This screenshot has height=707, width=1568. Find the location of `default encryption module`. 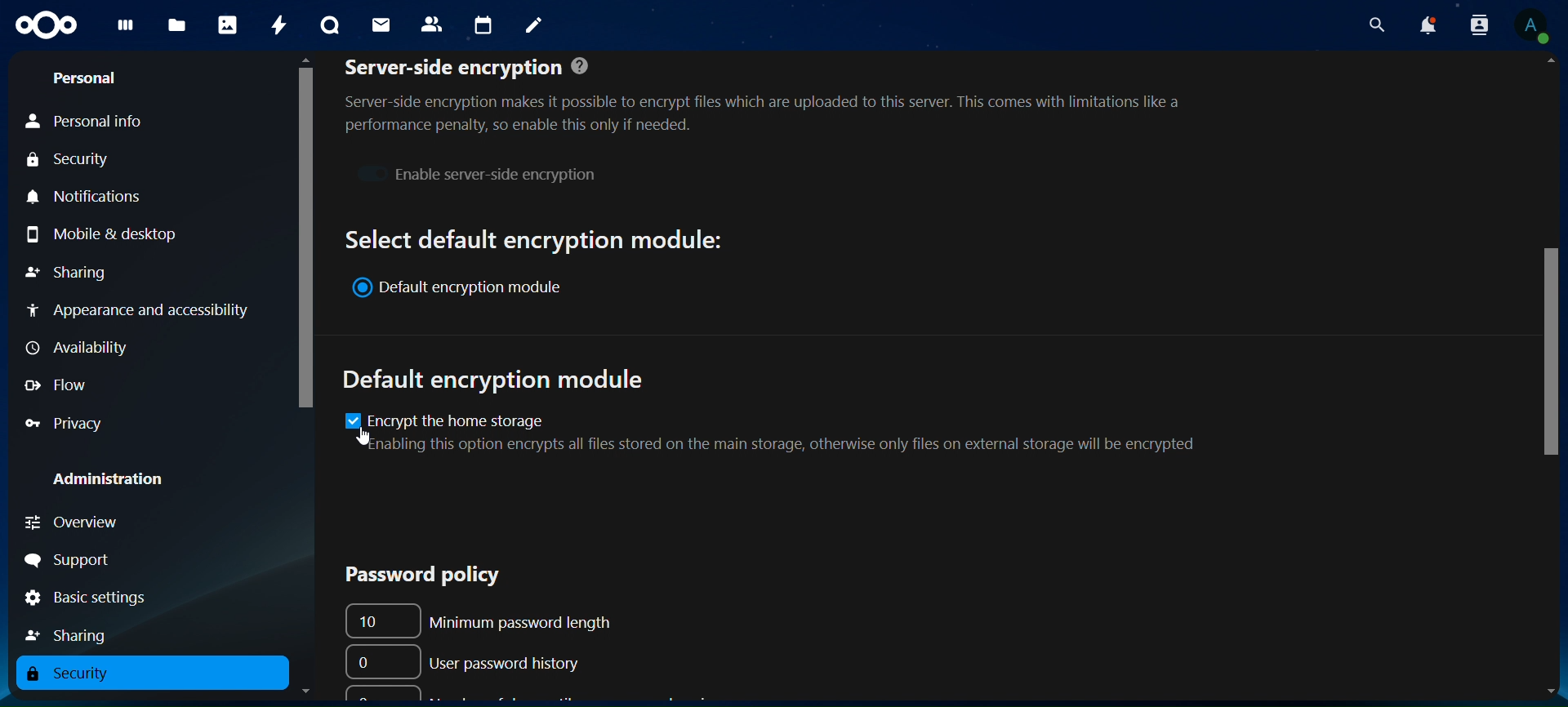

default encryption module is located at coordinates (499, 380).